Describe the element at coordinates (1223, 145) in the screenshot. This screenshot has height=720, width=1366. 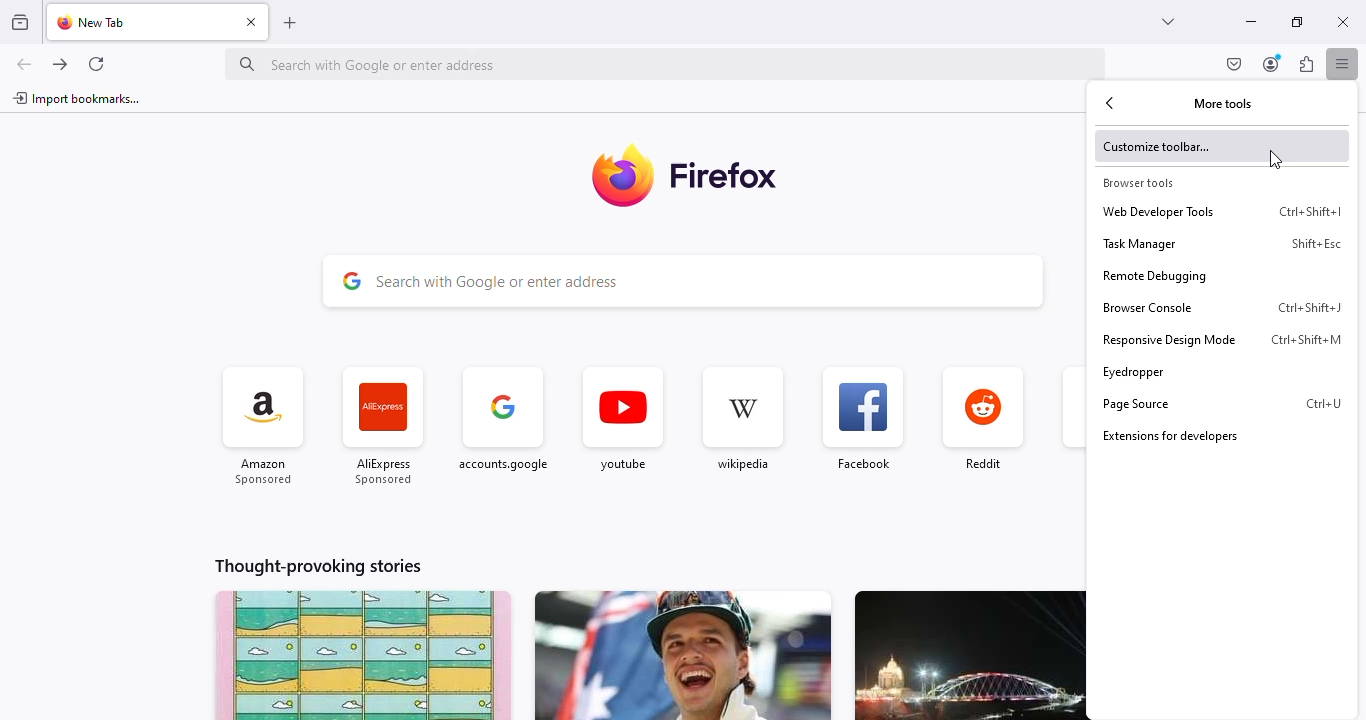
I see `customize toolbar` at that location.